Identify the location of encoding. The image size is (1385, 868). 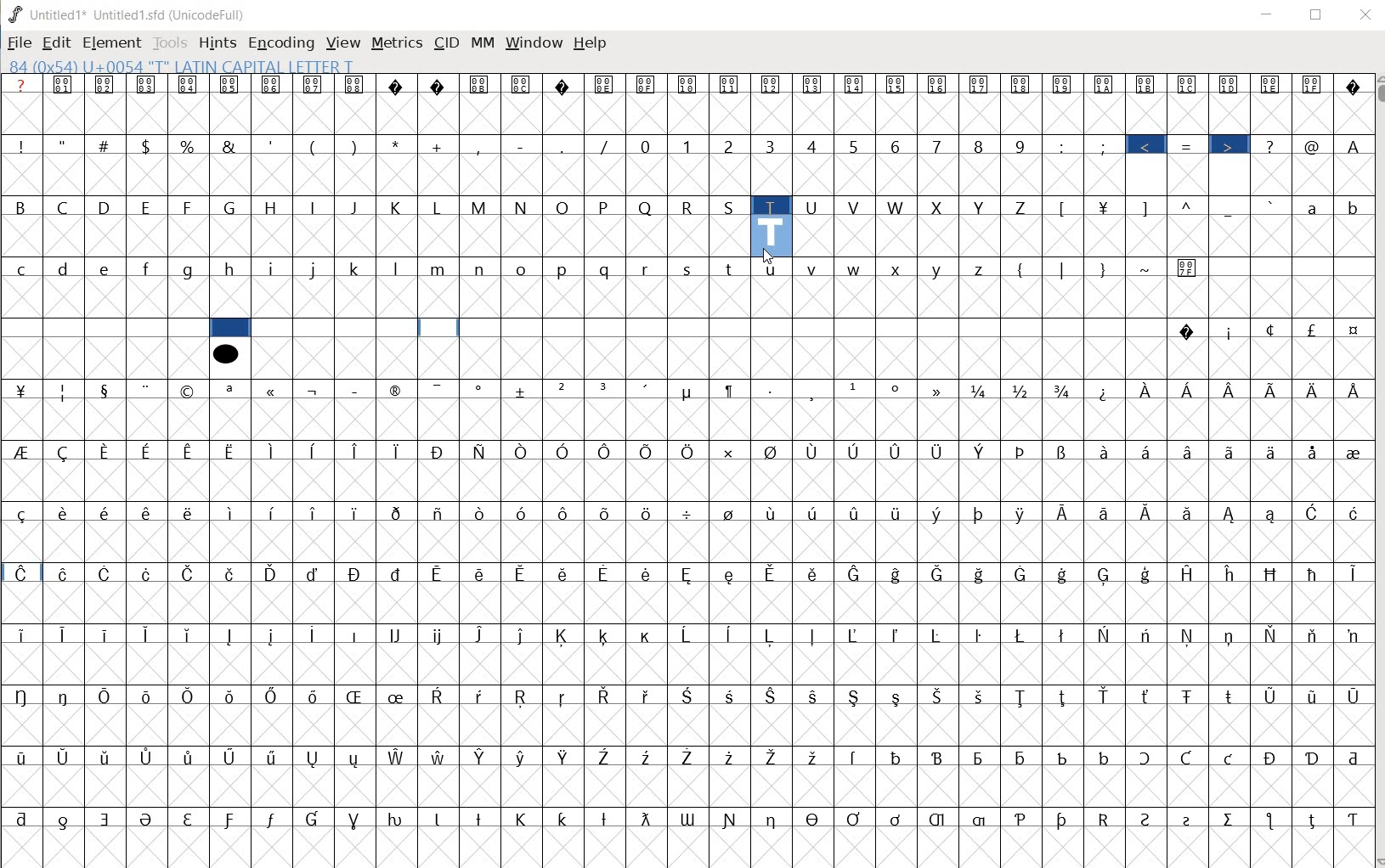
(280, 44).